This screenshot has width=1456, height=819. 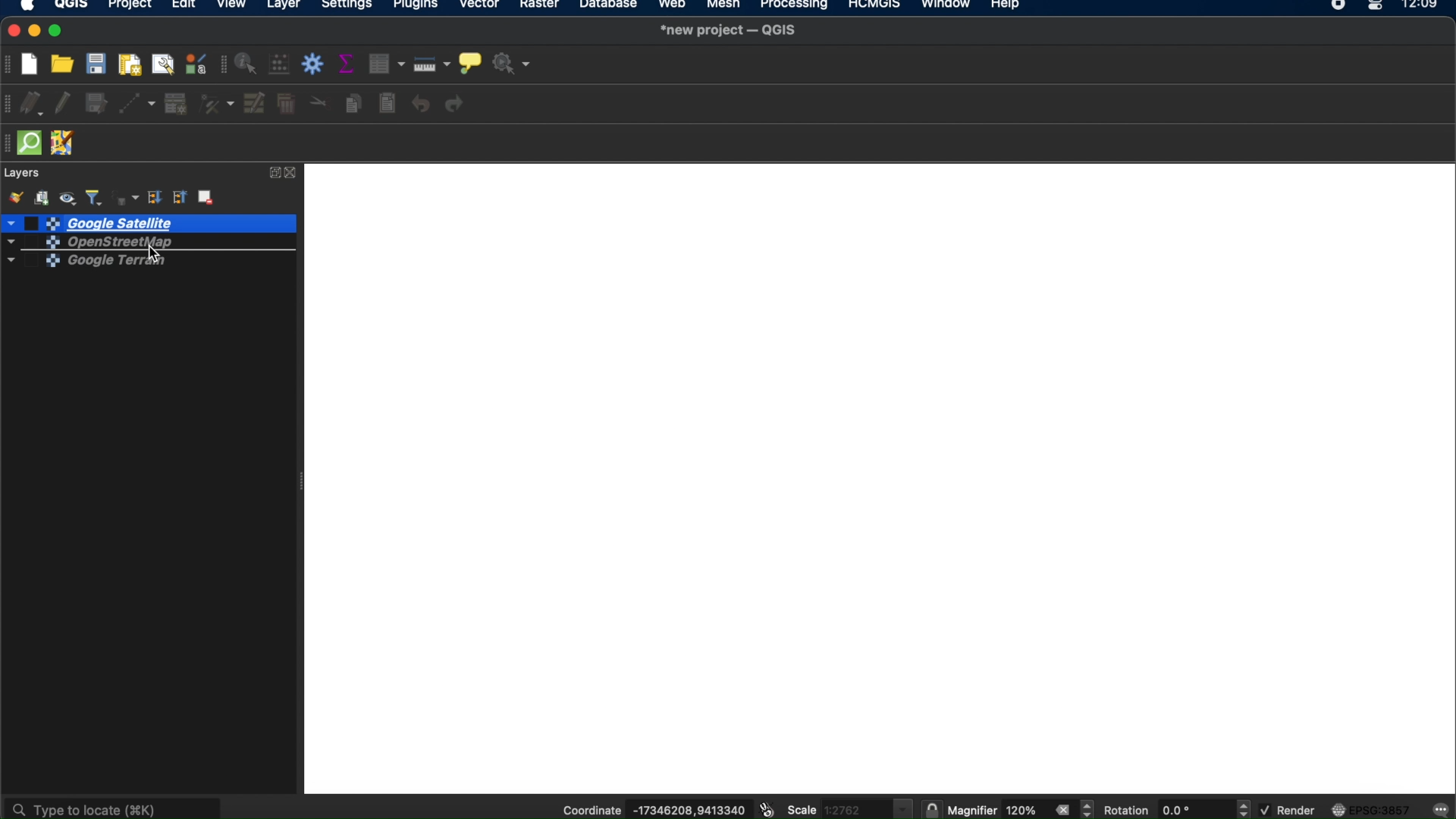 What do you see at coordinates (1008, 7) in the screenshot?
I see `help` at bounding box center [1008, 7].